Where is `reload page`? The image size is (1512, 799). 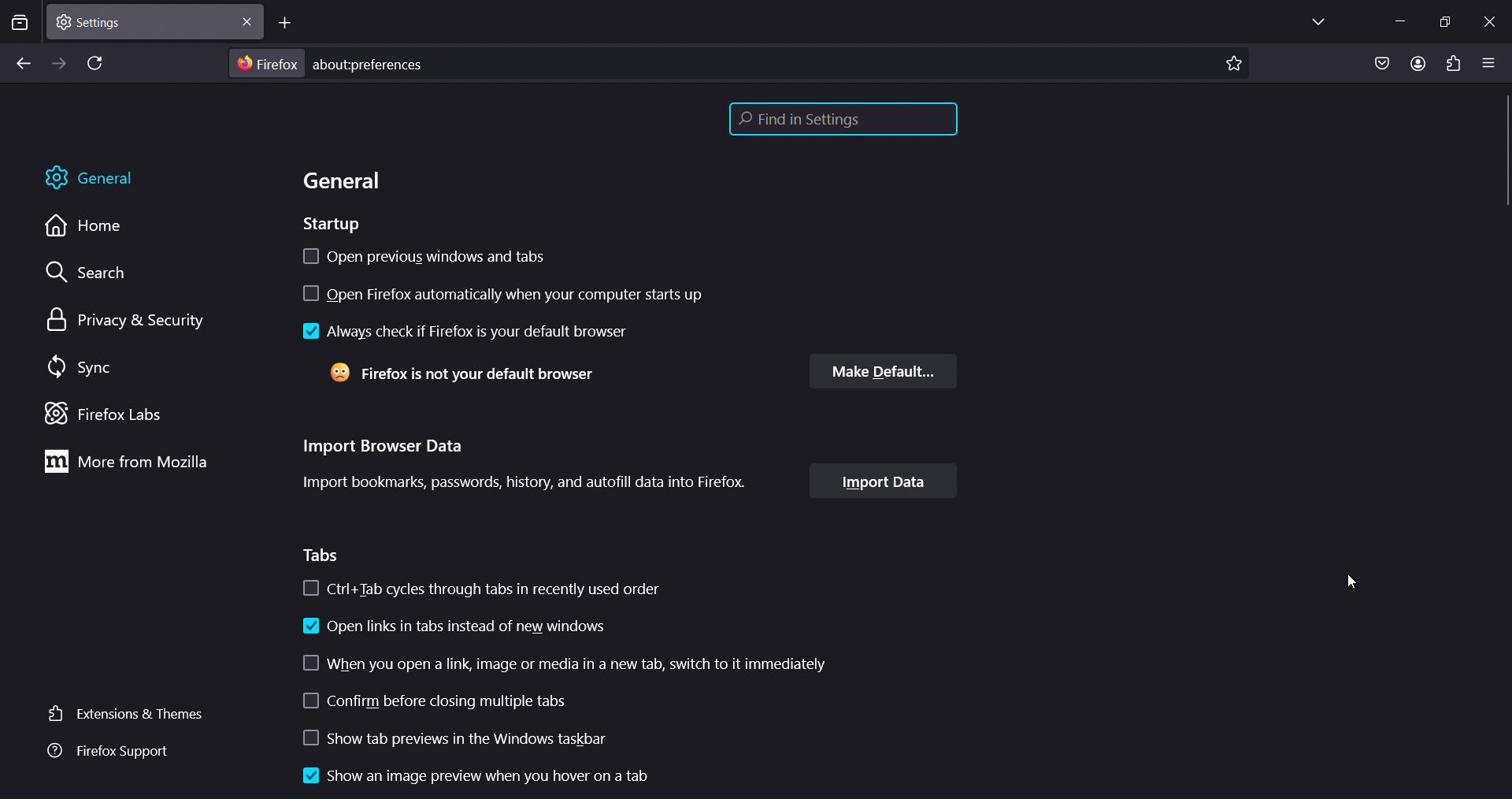 reload page is located at coordinates (91, 61).